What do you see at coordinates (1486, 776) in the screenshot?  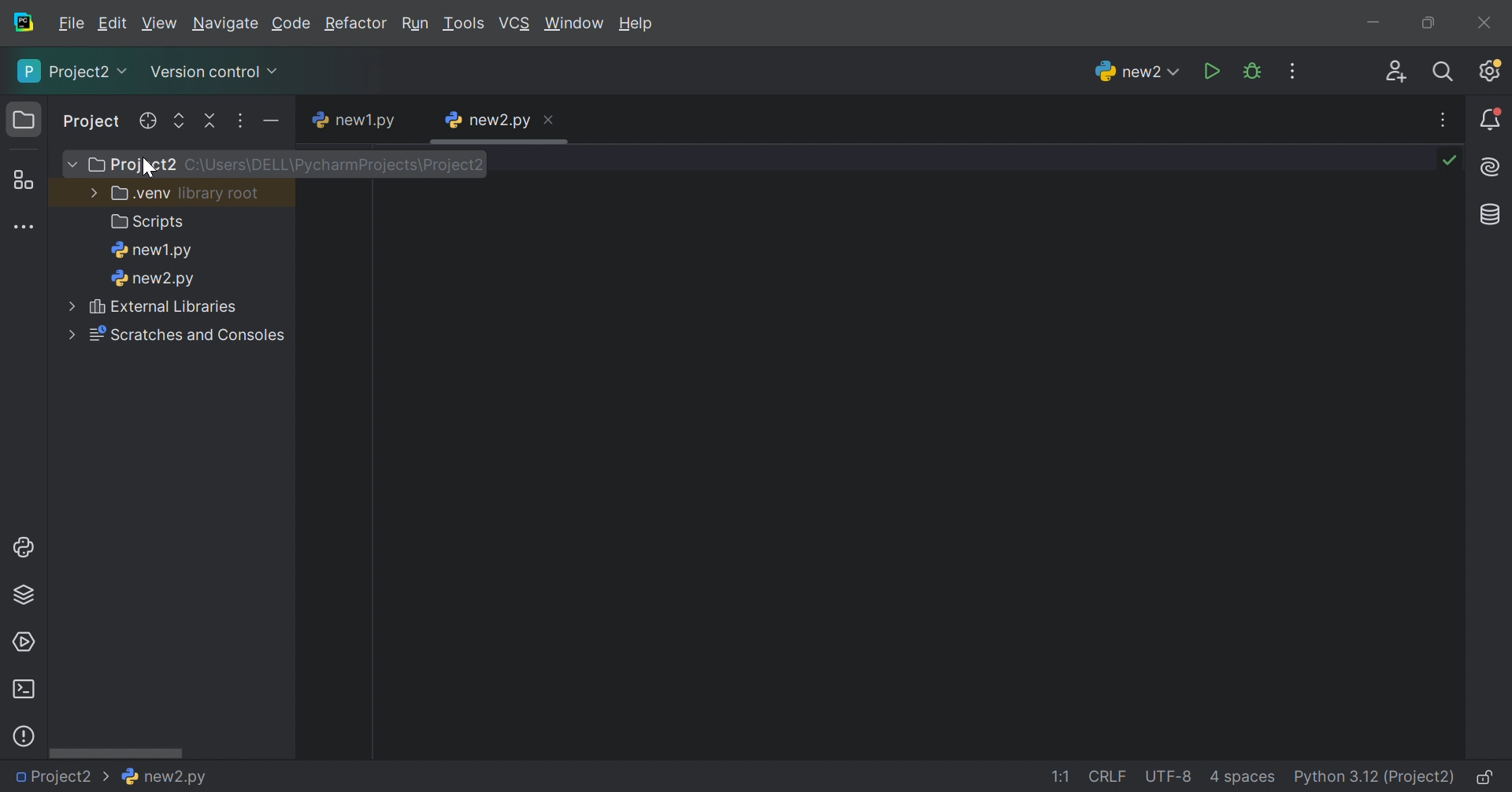 I see `Make file read-only` at bounding box center [1486, 776].